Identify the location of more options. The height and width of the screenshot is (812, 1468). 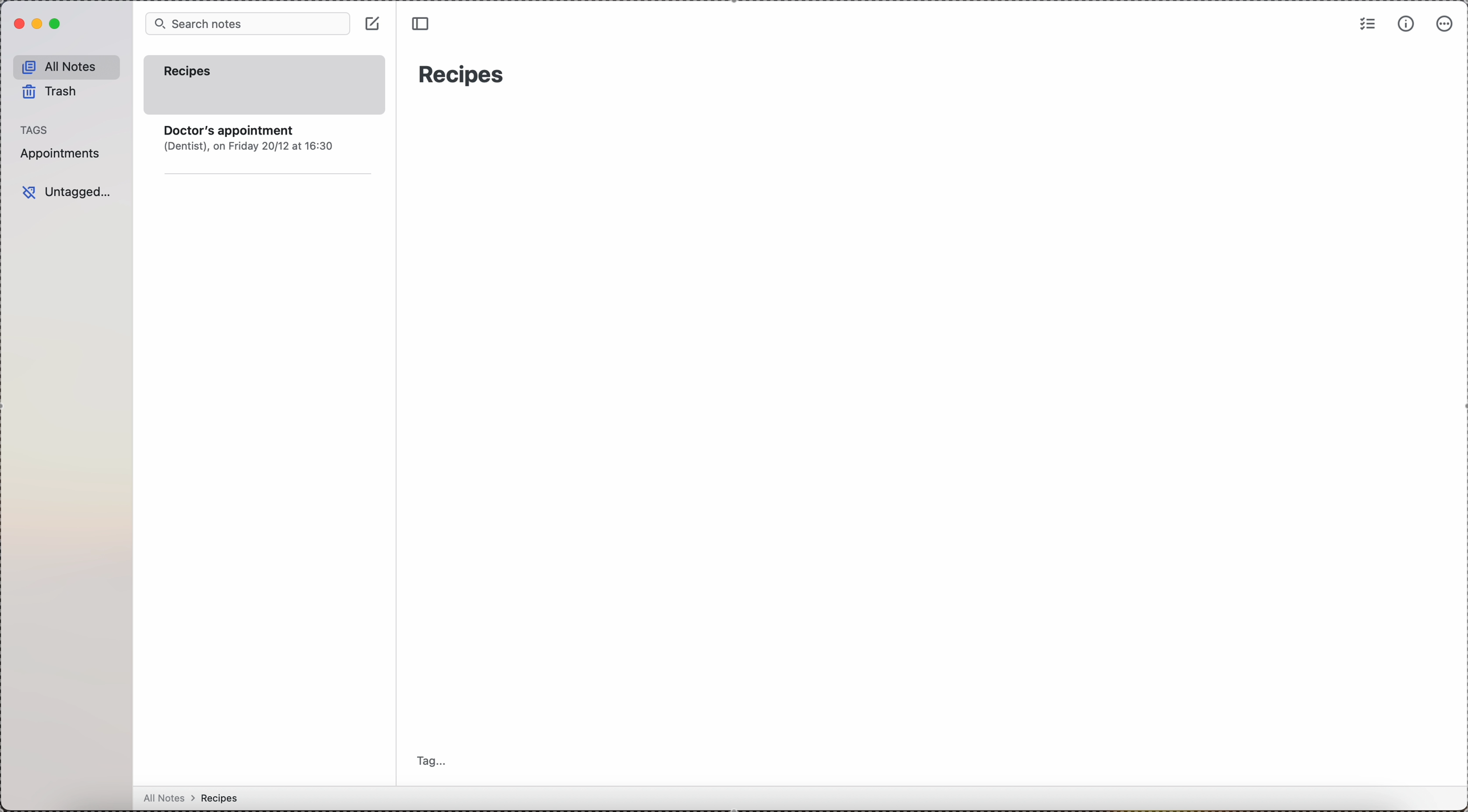
(1443, 25).